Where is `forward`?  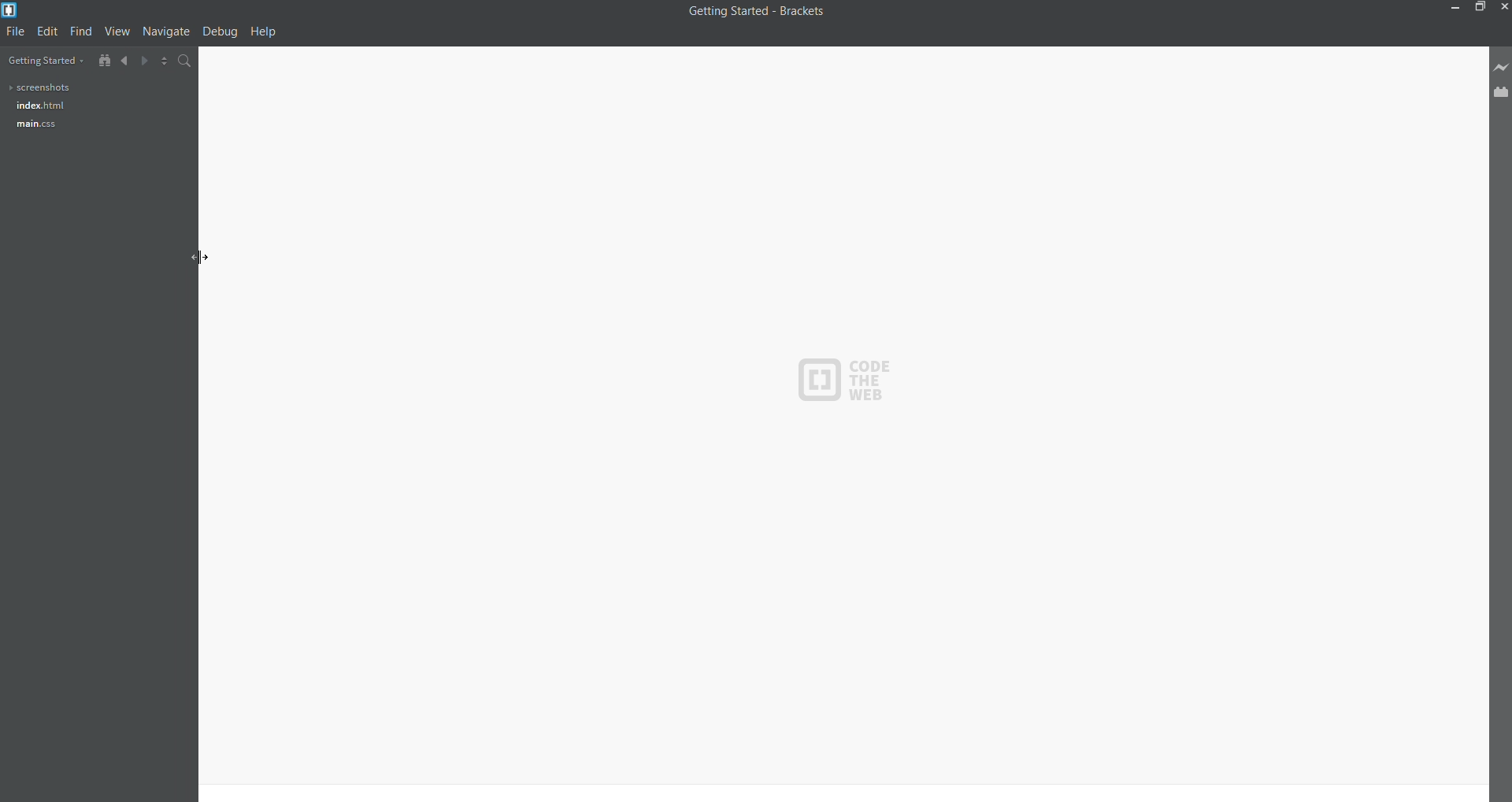 forward is located at coordinates (138, 61).